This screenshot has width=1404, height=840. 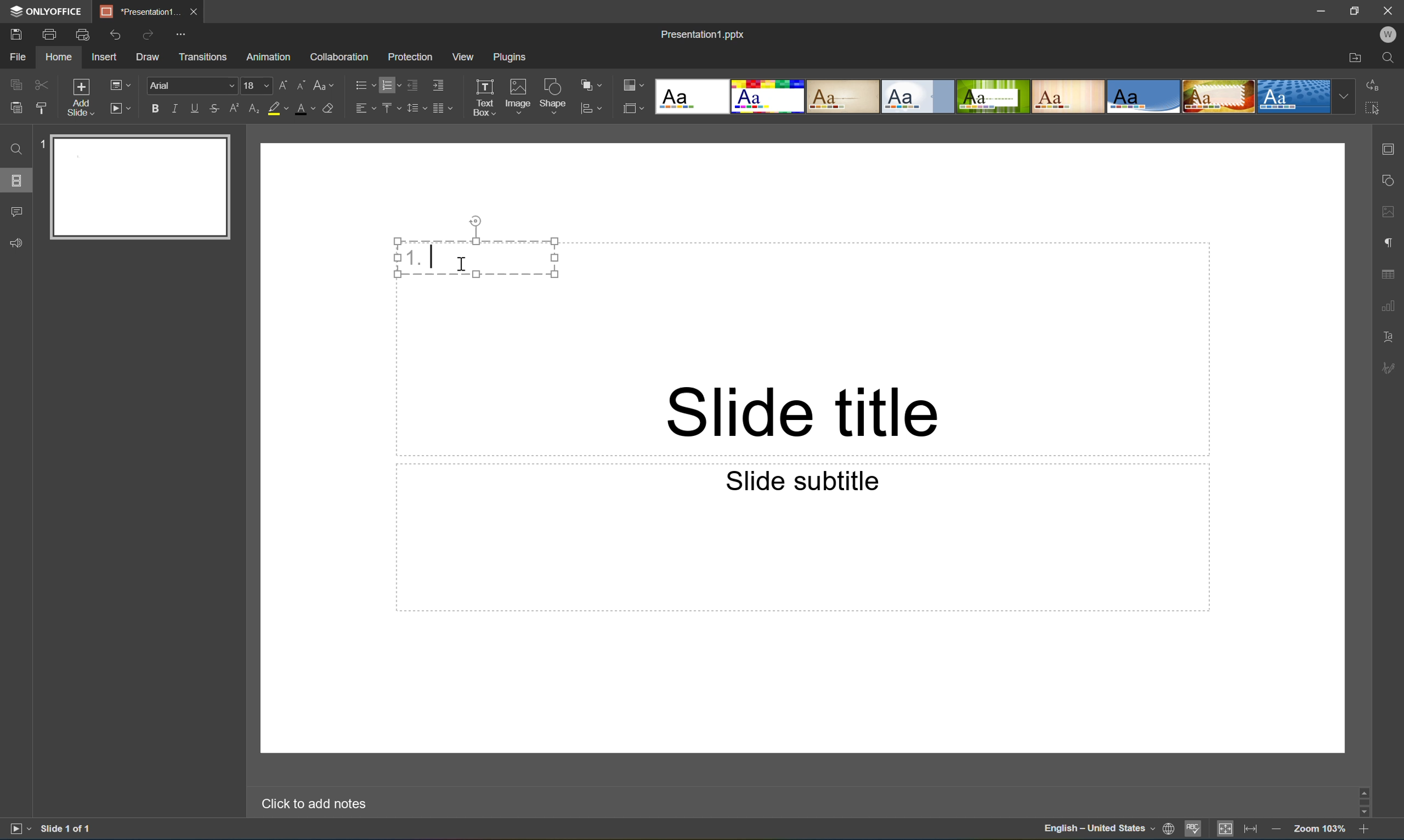 I want to click on Font, so click(x=193, y=85).